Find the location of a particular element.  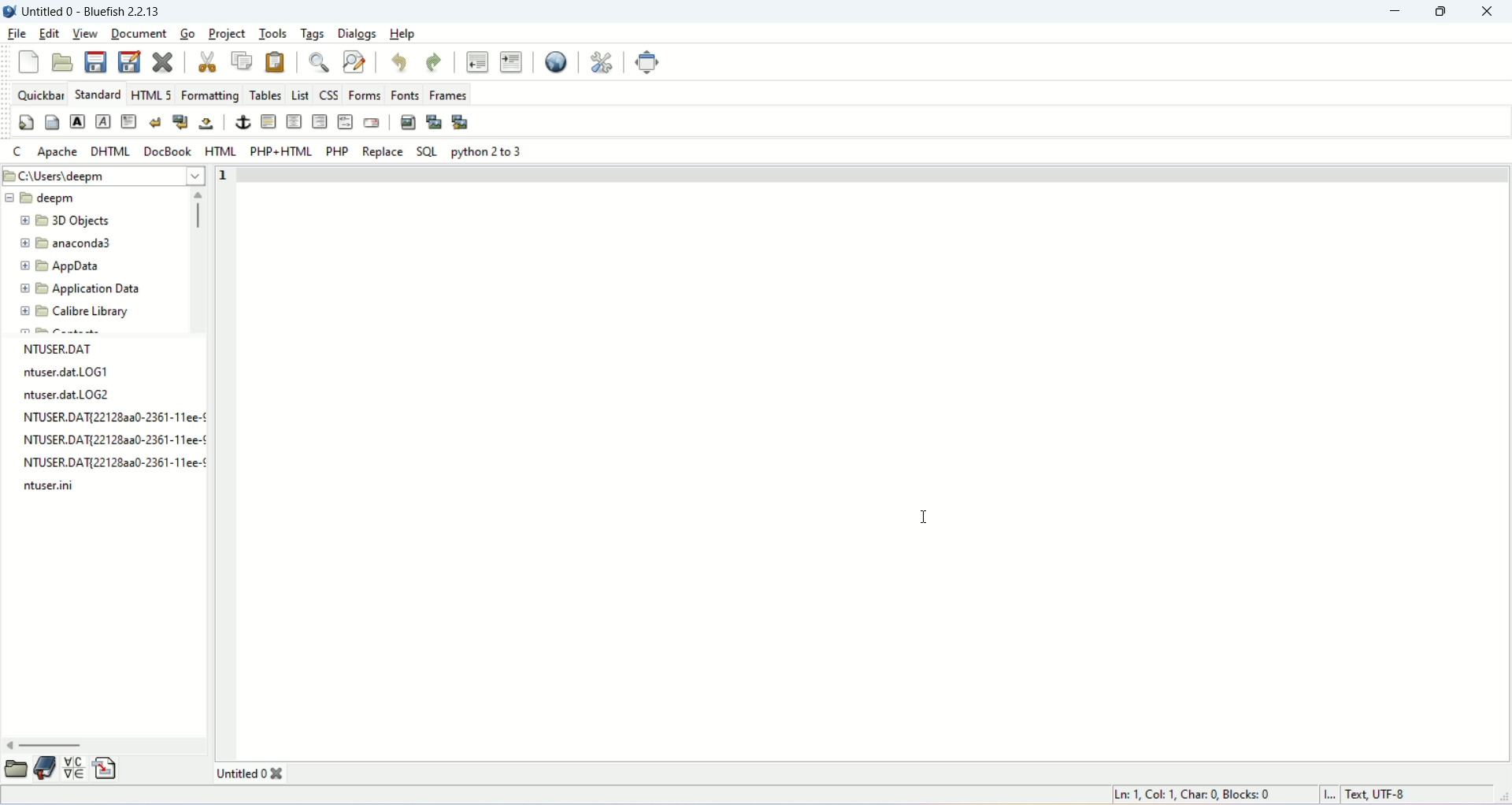

logo is located at coordinates (9, 10).